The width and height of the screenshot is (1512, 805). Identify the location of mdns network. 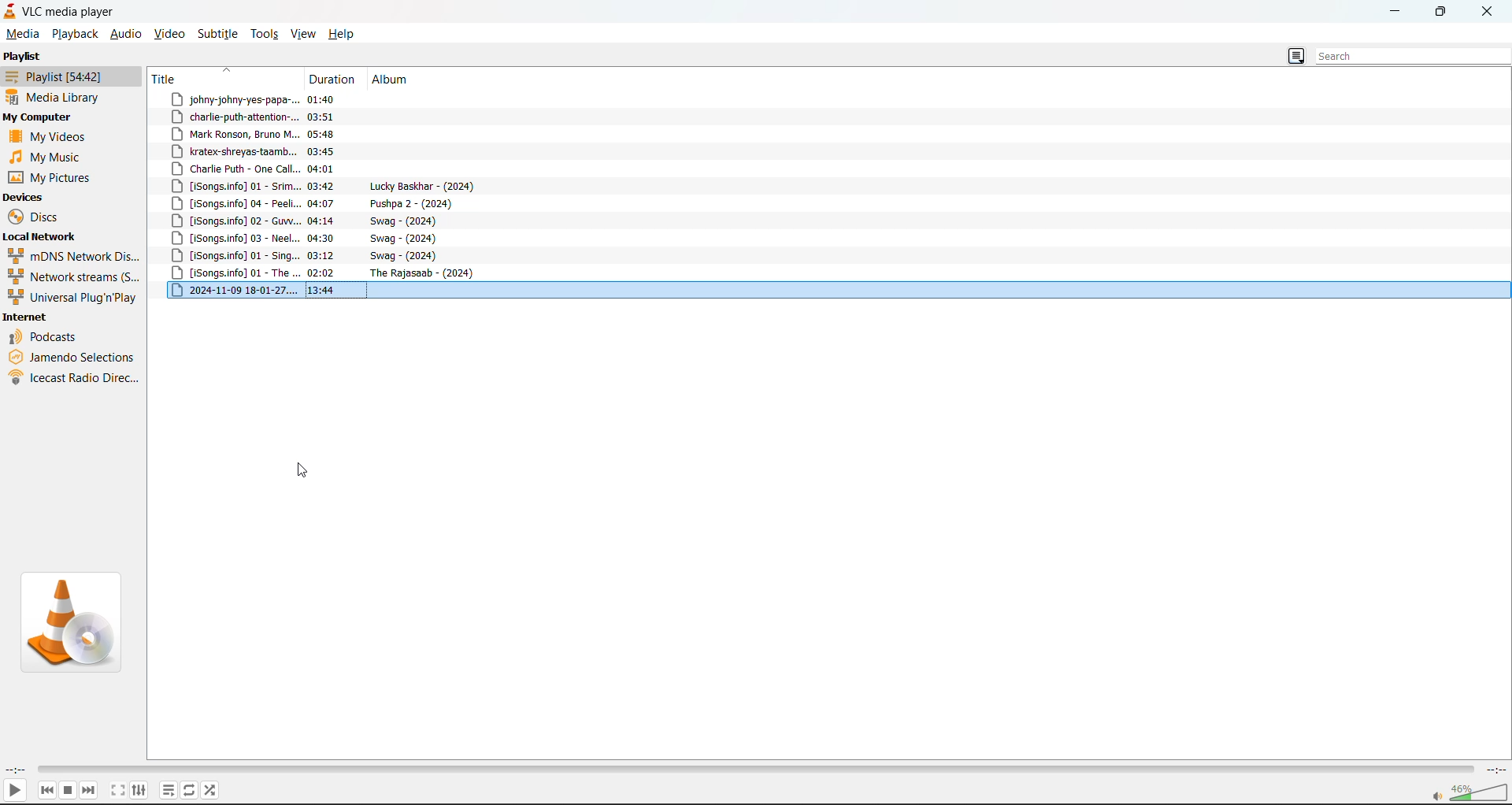
(74, 257).